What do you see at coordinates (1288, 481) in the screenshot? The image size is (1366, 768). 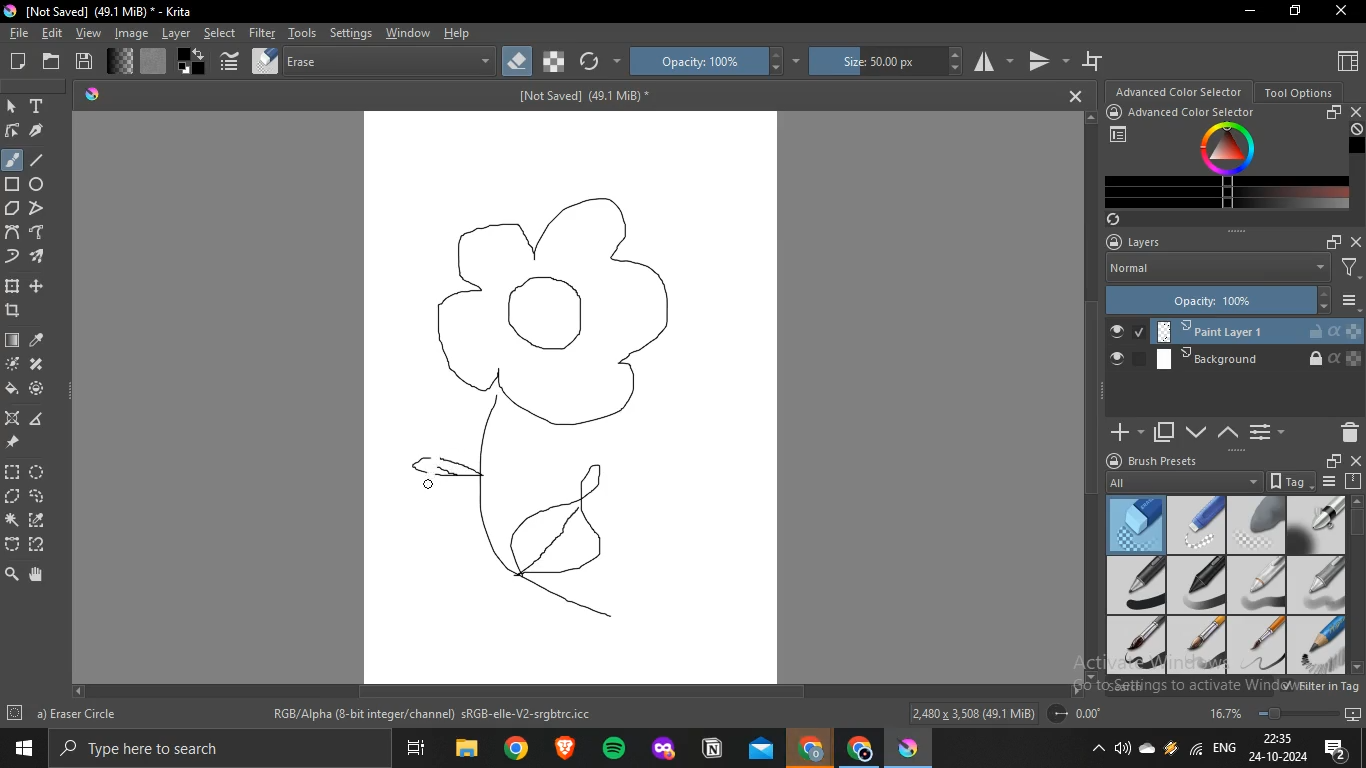 I see `tag` at bounding box center [1288, 481].